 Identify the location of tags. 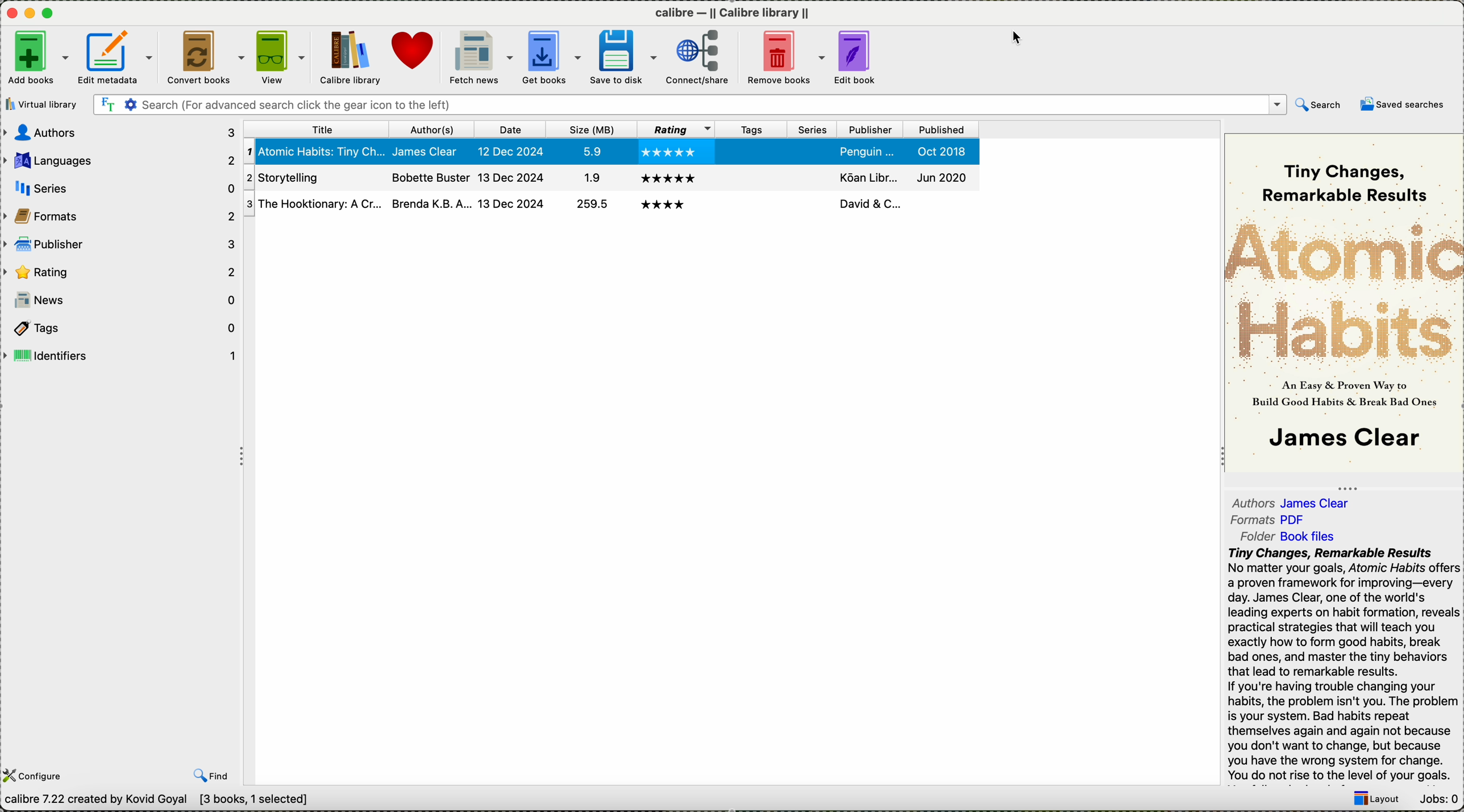
(750, 128).